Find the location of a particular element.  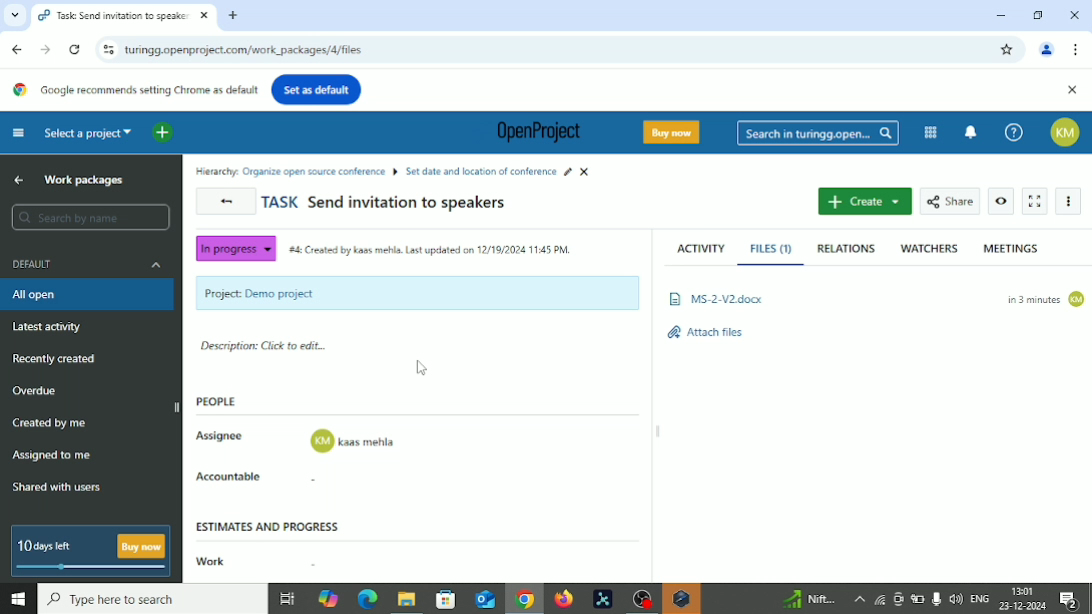

To notification center is located at coordinates (971, 130).